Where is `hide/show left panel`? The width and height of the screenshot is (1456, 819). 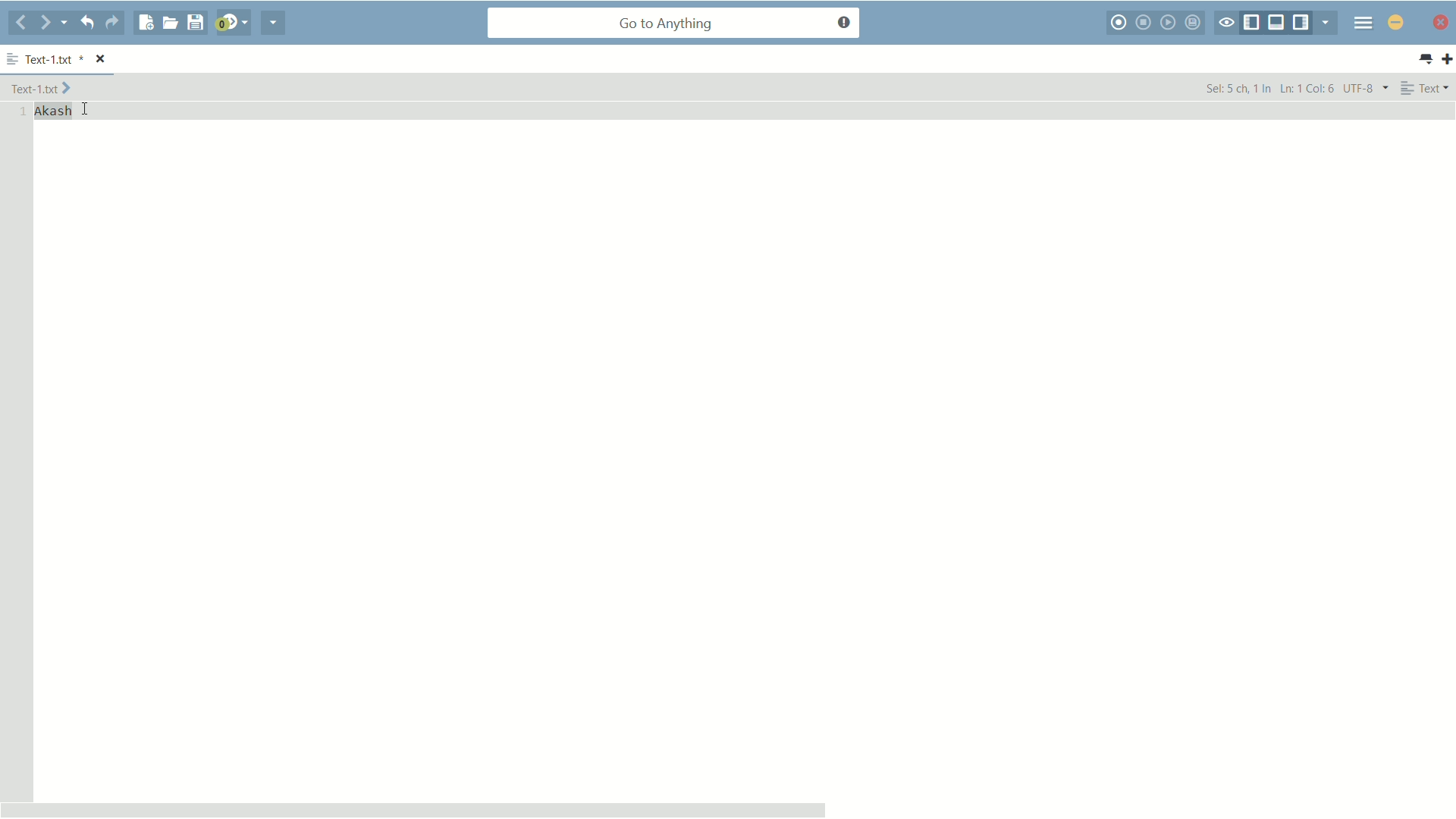
hide/show left panel is located at coordinates (1252, 24).